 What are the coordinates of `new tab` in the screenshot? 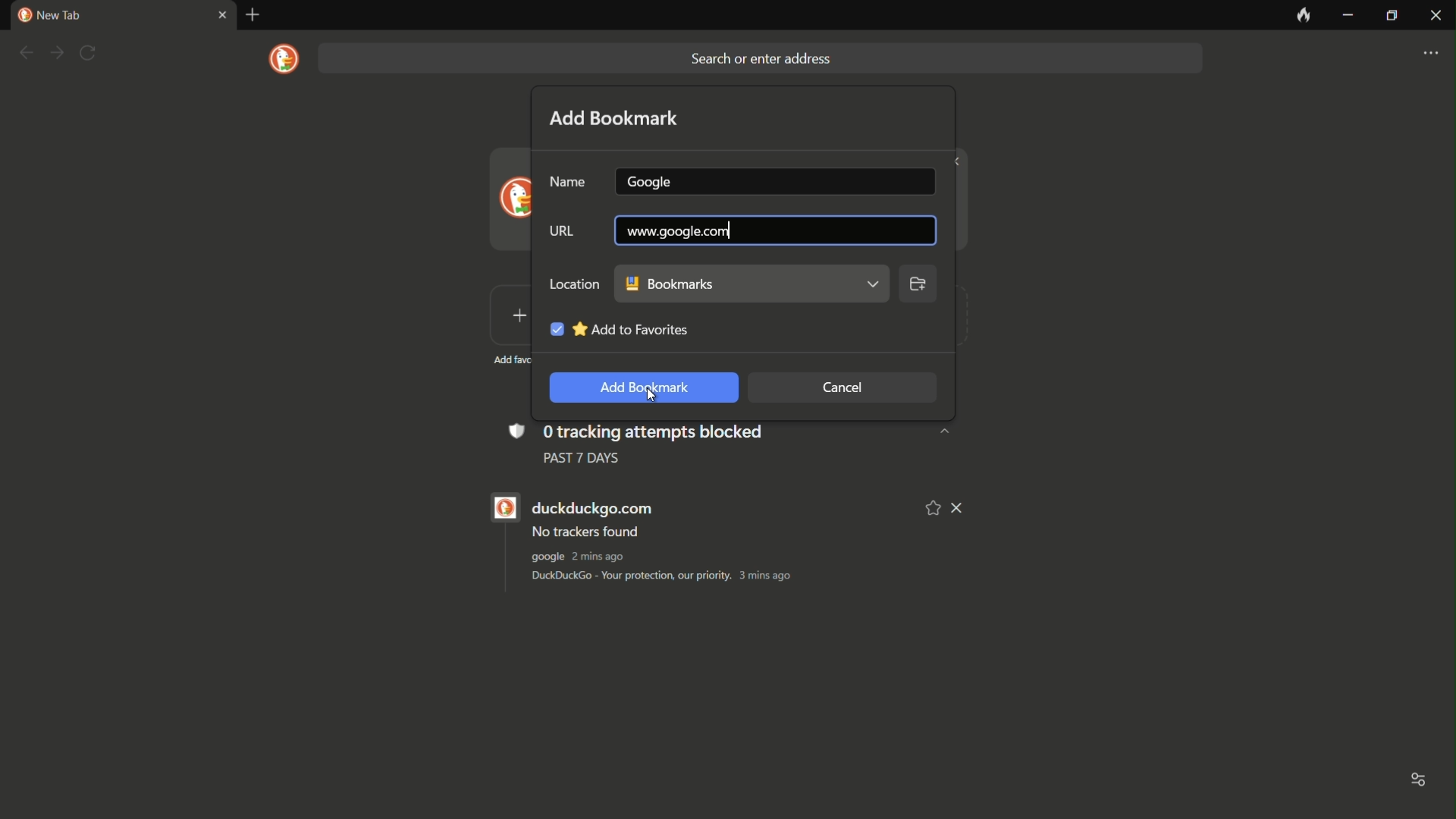 It's located at (49, 15).